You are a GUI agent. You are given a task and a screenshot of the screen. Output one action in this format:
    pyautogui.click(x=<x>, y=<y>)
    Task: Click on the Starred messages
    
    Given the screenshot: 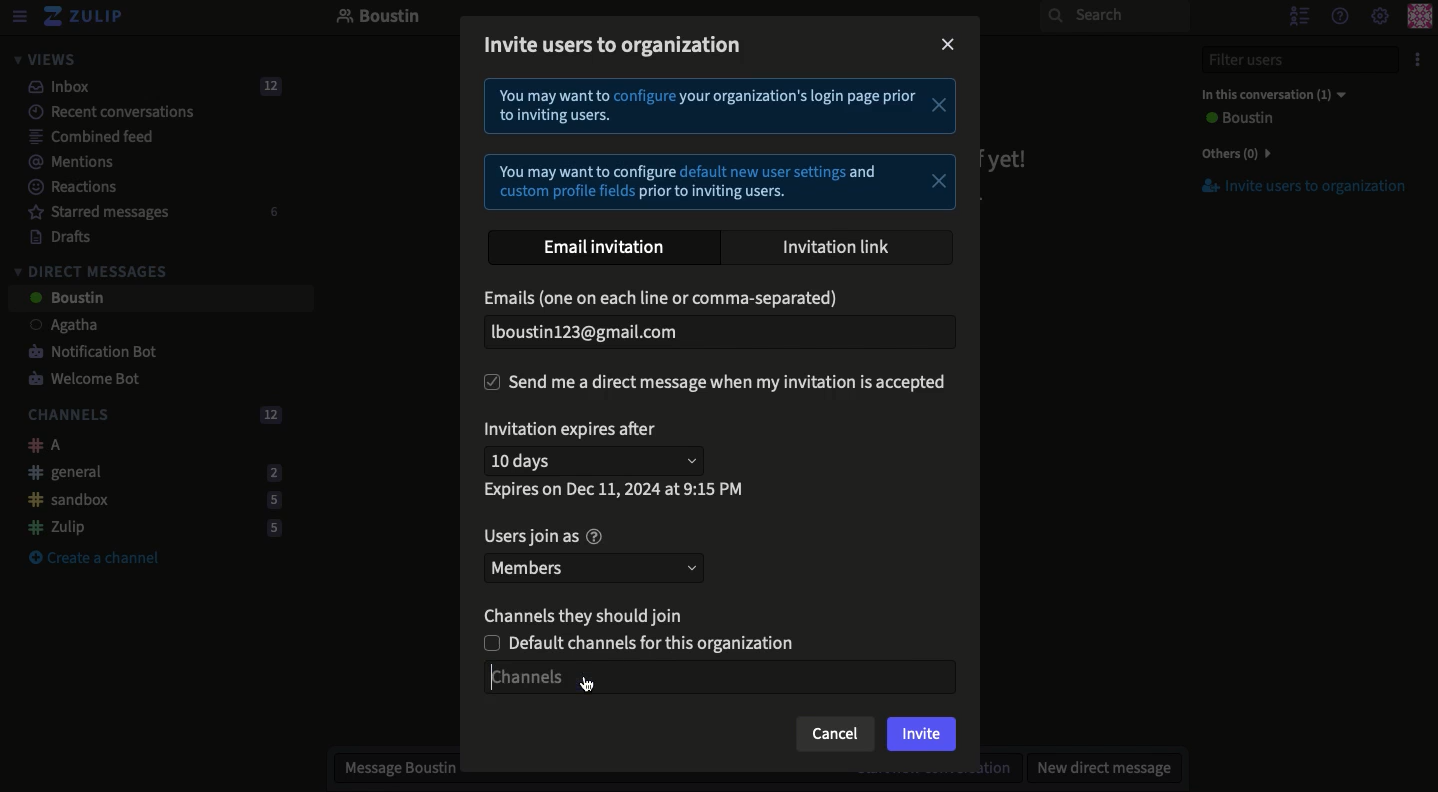 What is the action you would take?
    pyautogui.click(x=150, y=212)
    